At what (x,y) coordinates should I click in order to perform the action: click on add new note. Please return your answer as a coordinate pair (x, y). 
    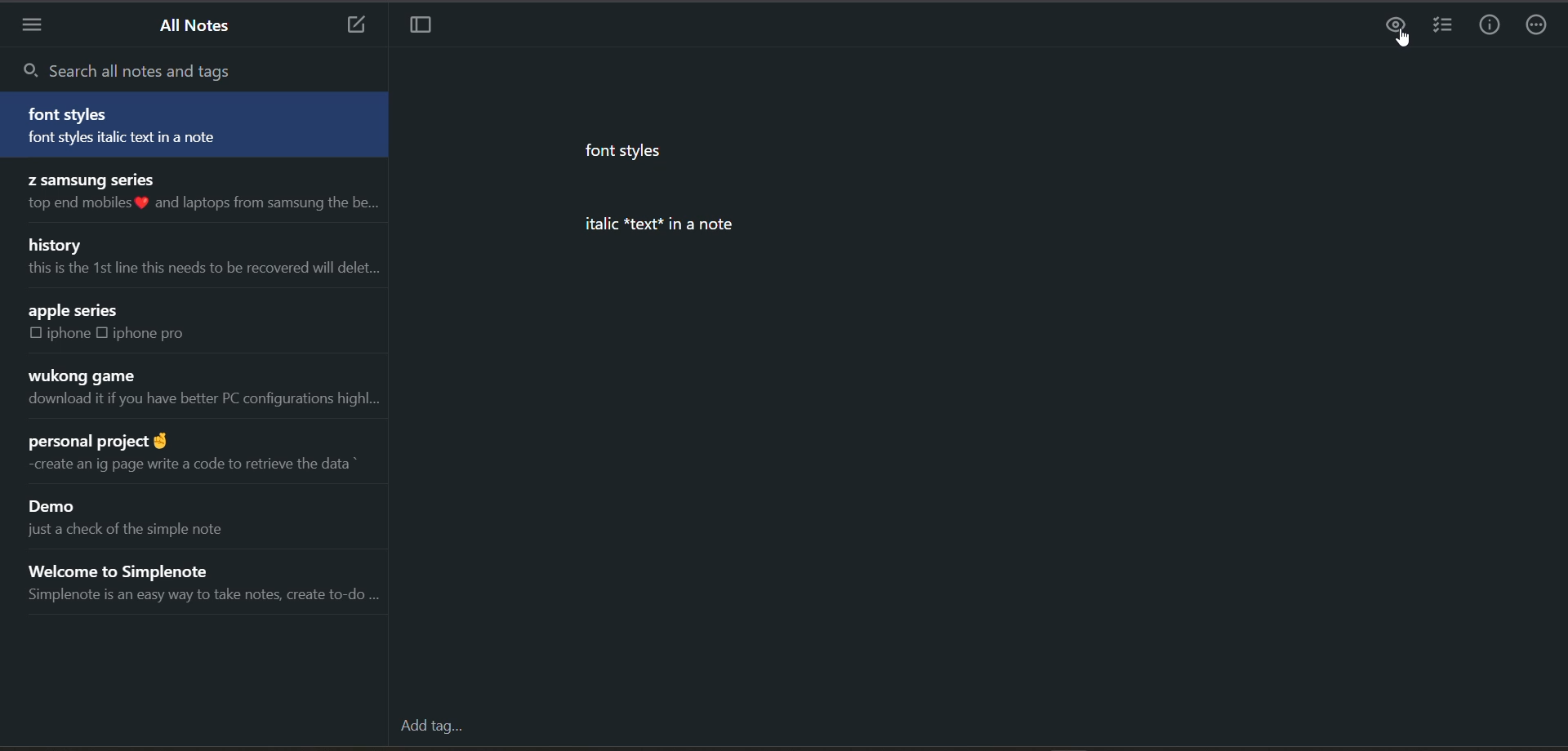
    Looking at the image, I should click on (354, 26).